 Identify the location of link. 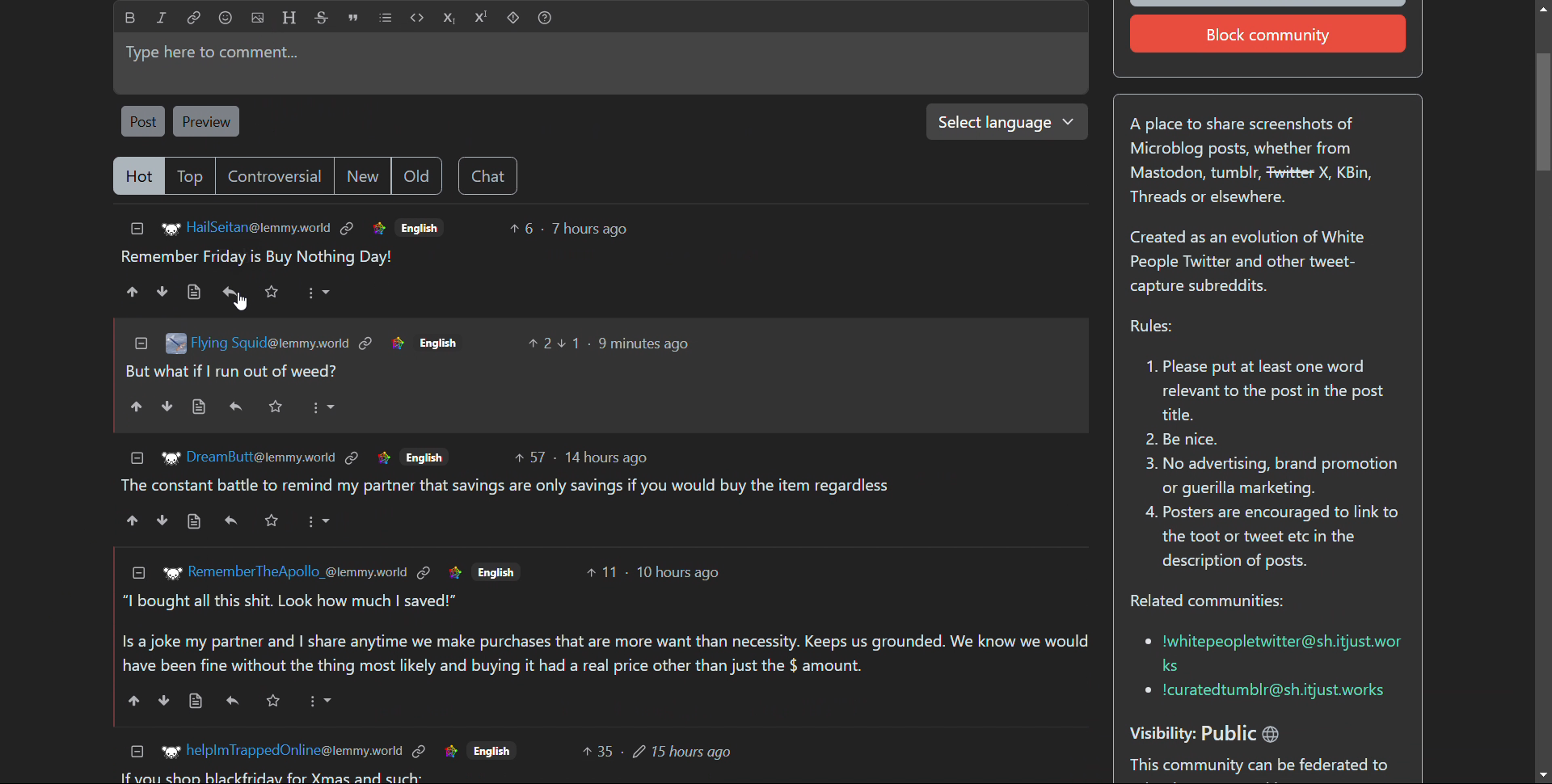
(383, 458).